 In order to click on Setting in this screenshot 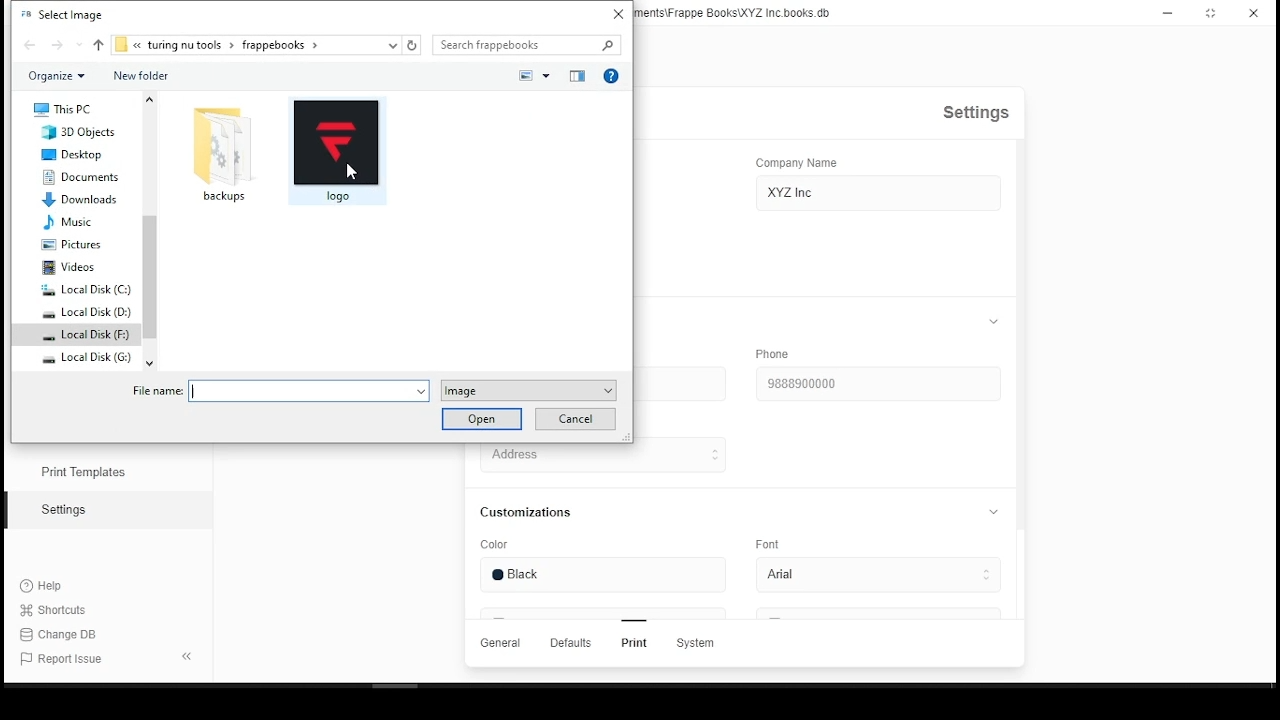, I will do `click(63, 509)`.